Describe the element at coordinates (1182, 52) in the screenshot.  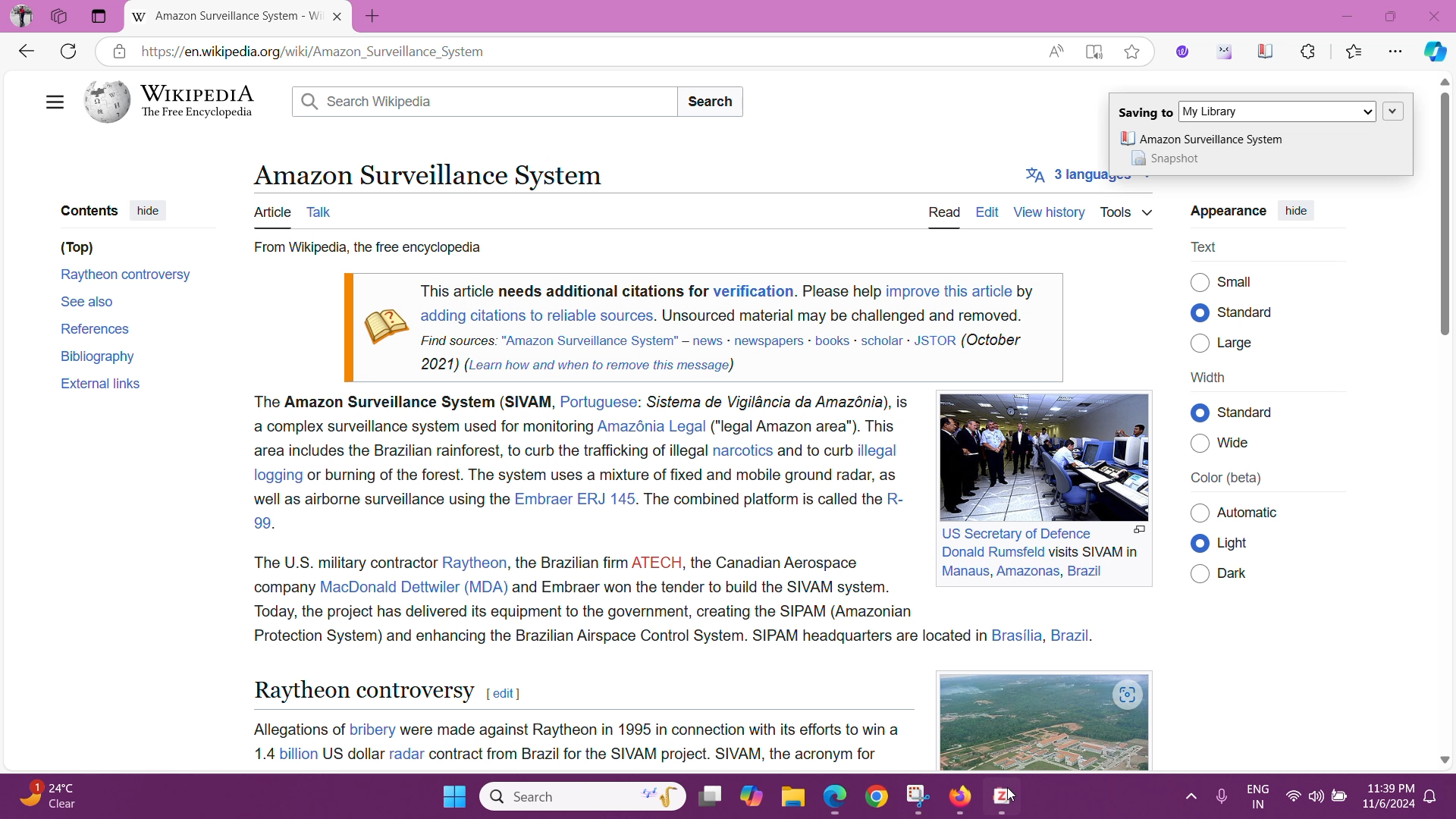
I see `Wordtune Extension` at that location.